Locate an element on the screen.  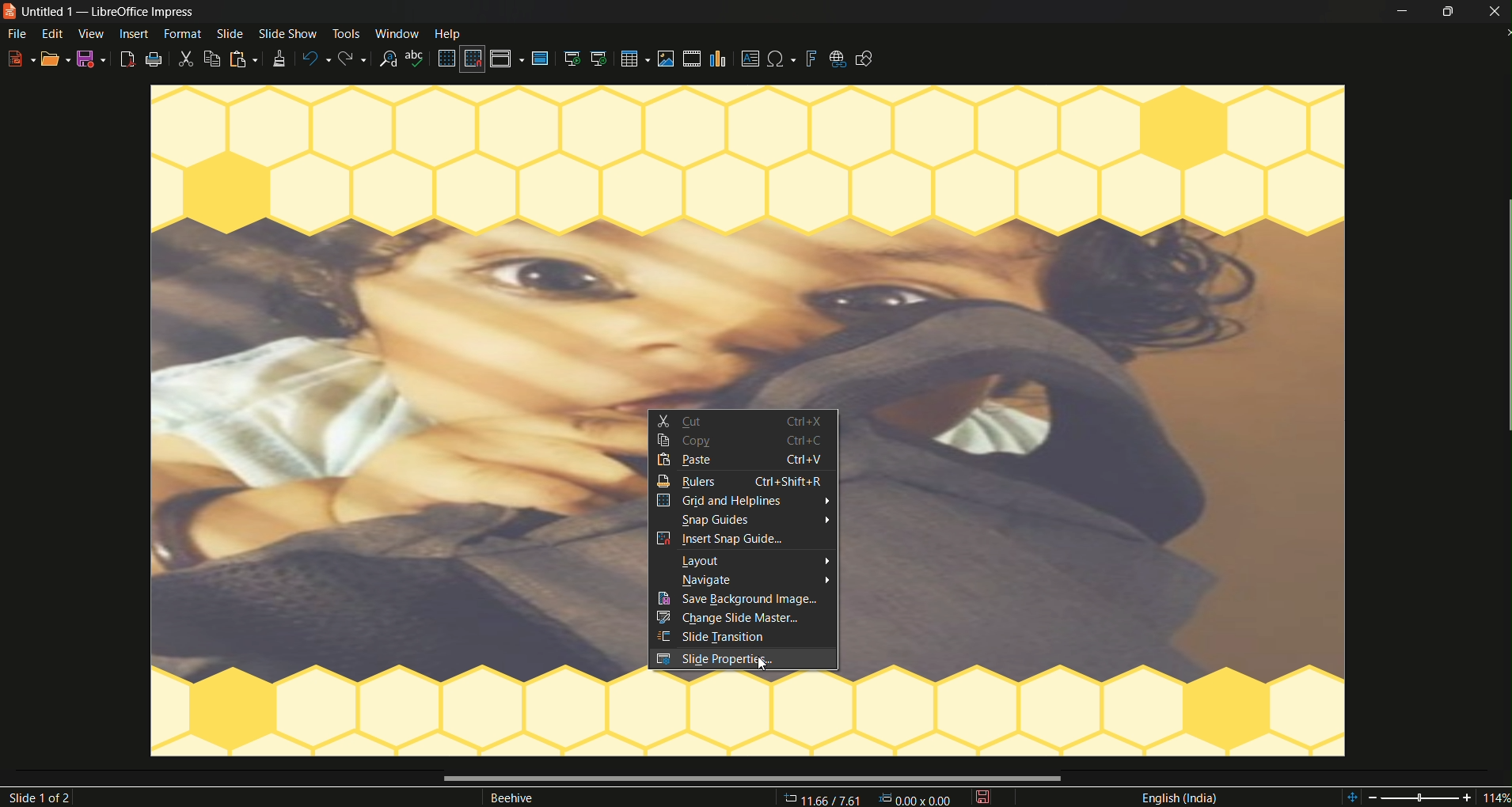
new file is located at coordinates (21, 59).